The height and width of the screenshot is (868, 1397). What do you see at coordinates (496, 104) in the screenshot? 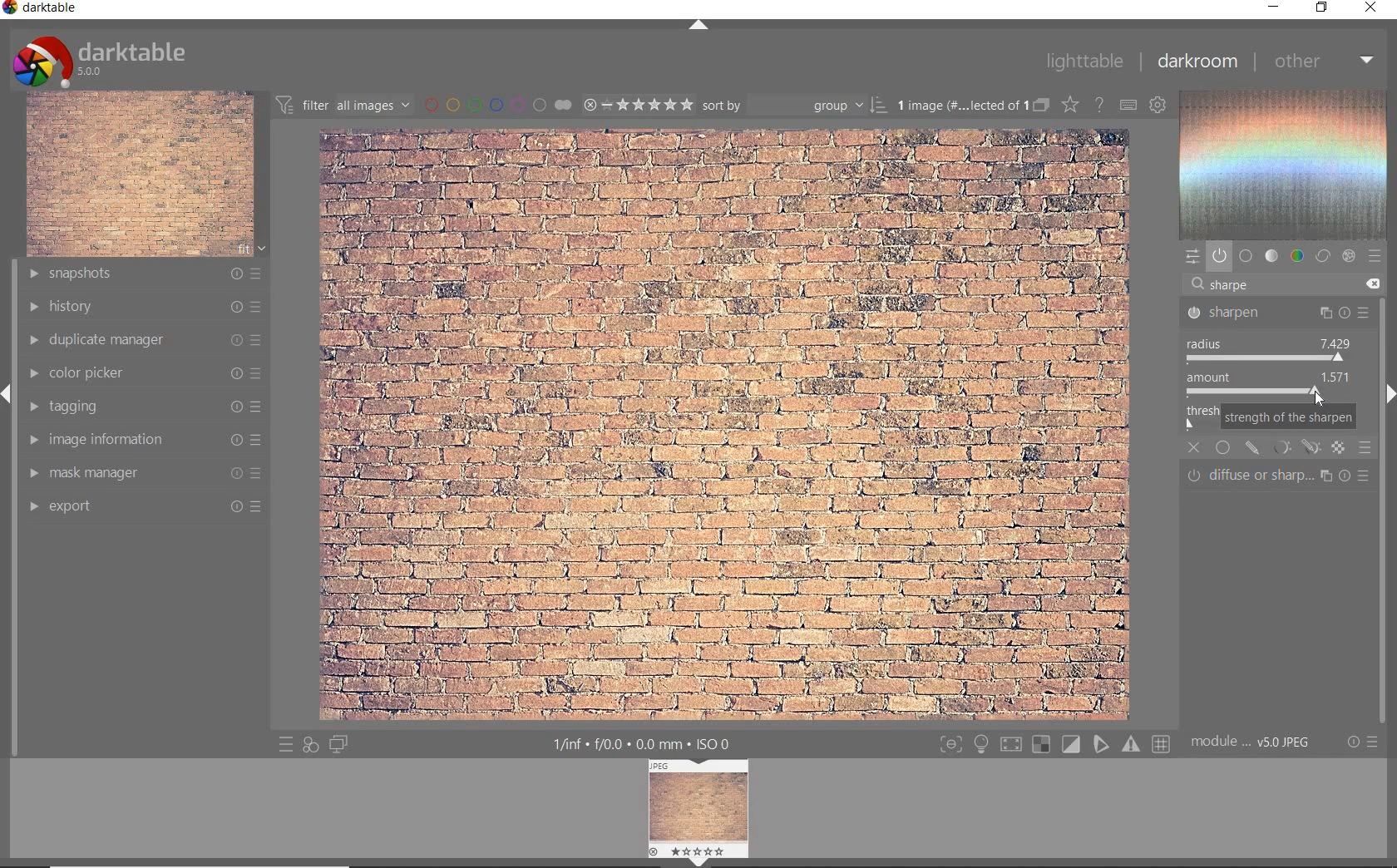
I see `filter by image color label` at bounding box center [496, 104].